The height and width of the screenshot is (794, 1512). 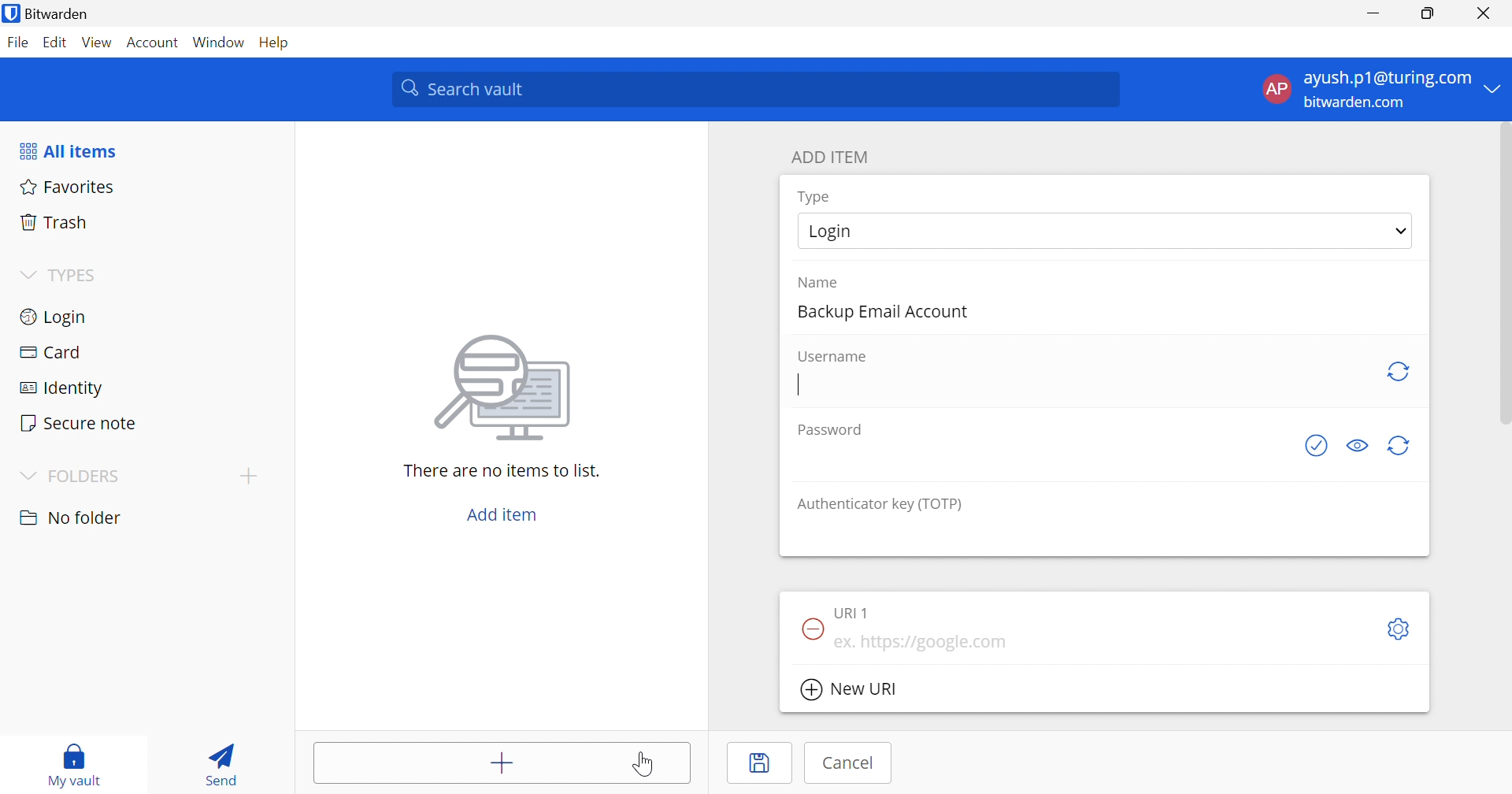 I want to click on Check if password has been exposed, so click(x=1318, y=446).